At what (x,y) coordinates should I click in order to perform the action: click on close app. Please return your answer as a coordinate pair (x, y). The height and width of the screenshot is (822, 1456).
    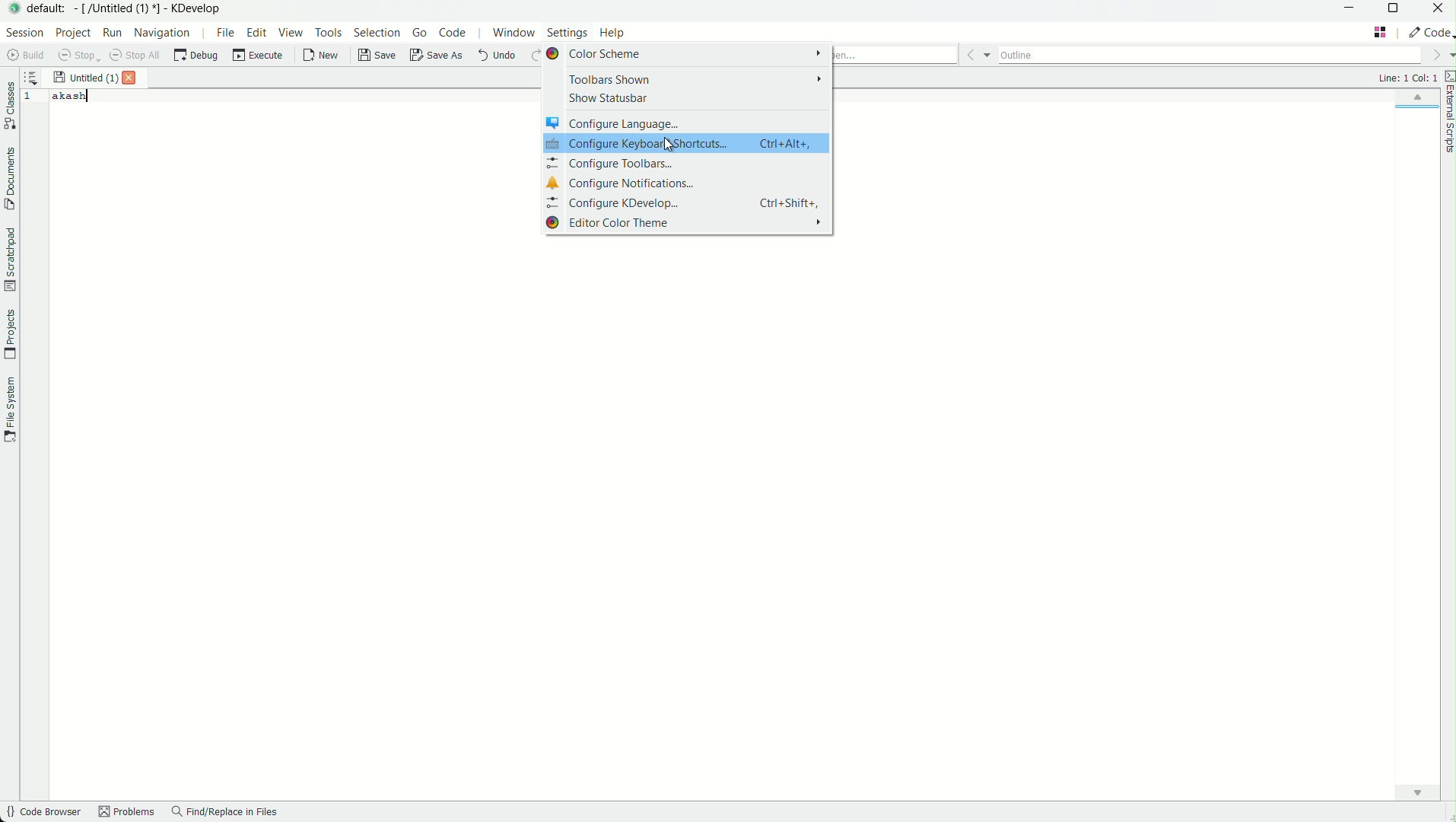
    Looking at the image, I should click on (1439, 10).